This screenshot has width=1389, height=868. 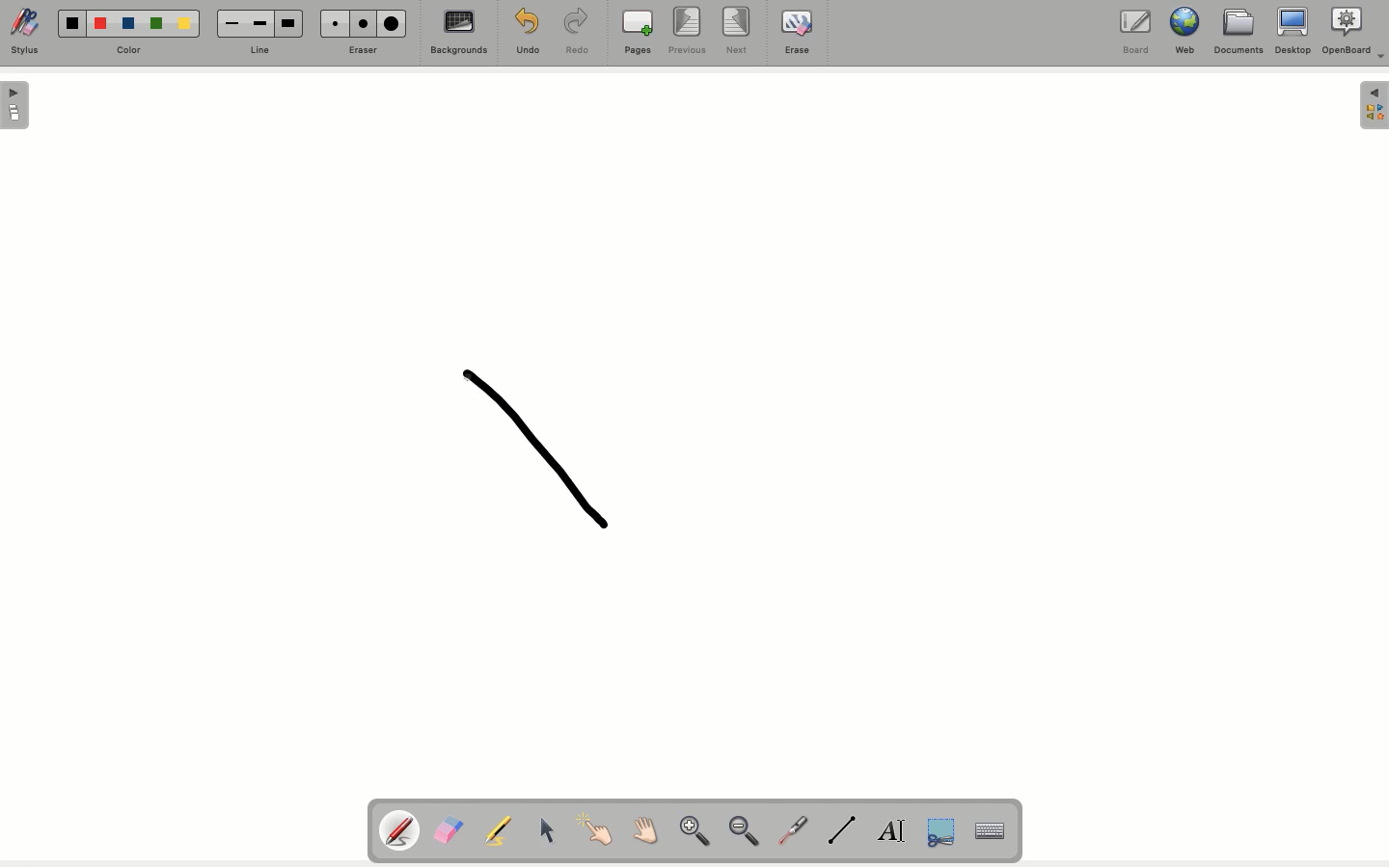 I want to click on Black, so click(x=73, y=22).